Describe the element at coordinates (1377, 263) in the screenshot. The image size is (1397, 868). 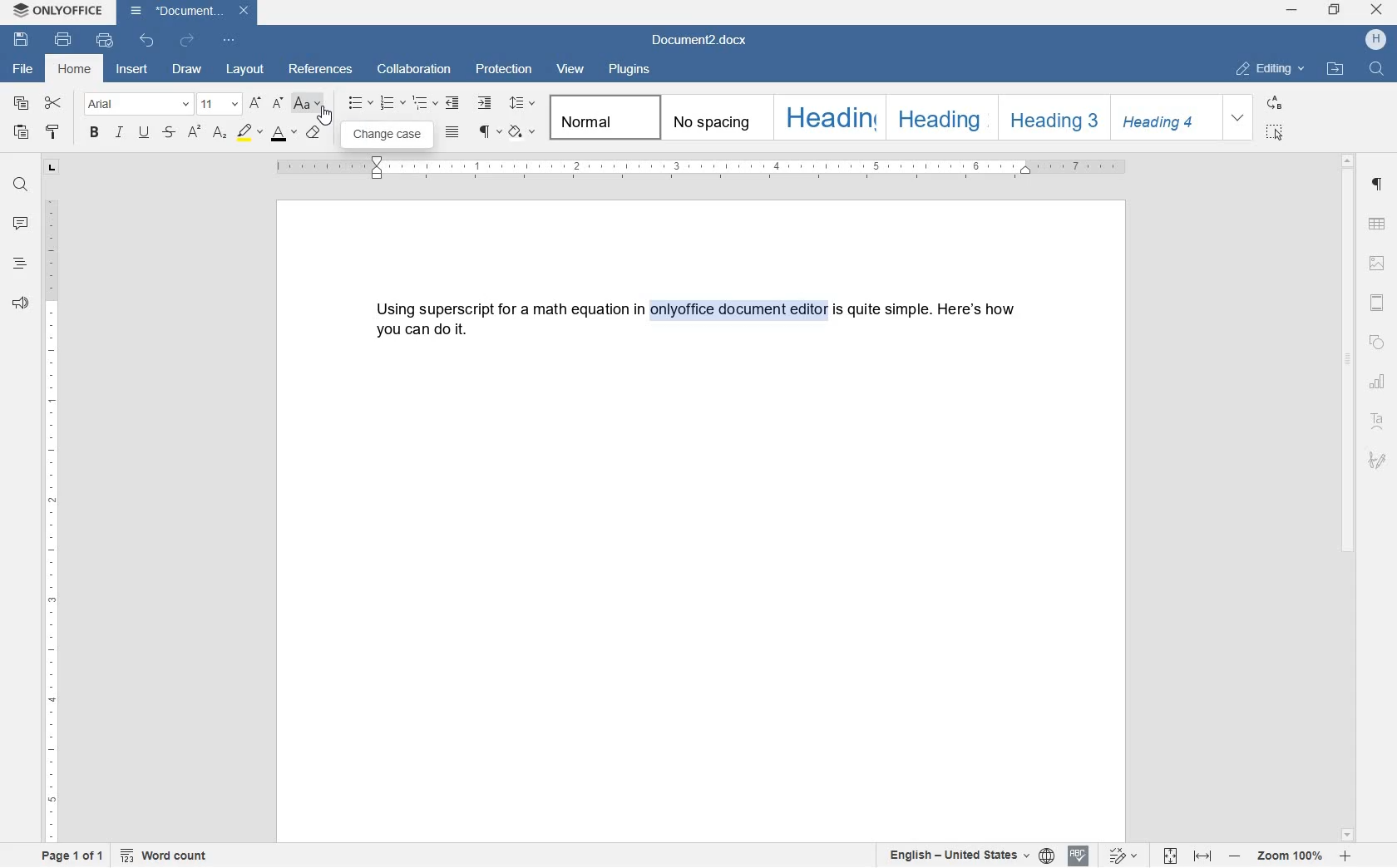
I see `image` at that location.